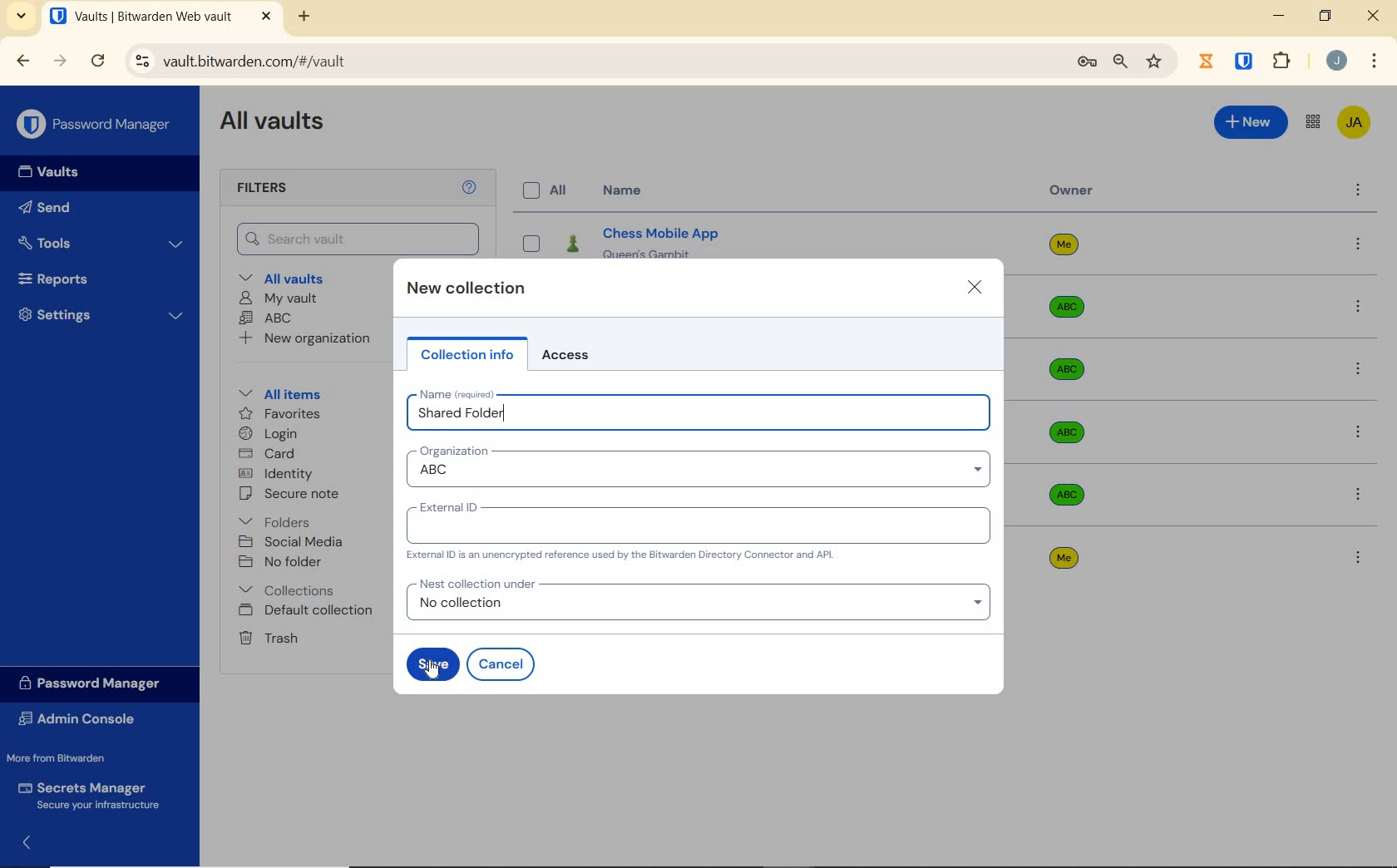  What do you see at coordinates (572, 355) in the screenshot?
I see `Access` at bounding box center [572, 355].